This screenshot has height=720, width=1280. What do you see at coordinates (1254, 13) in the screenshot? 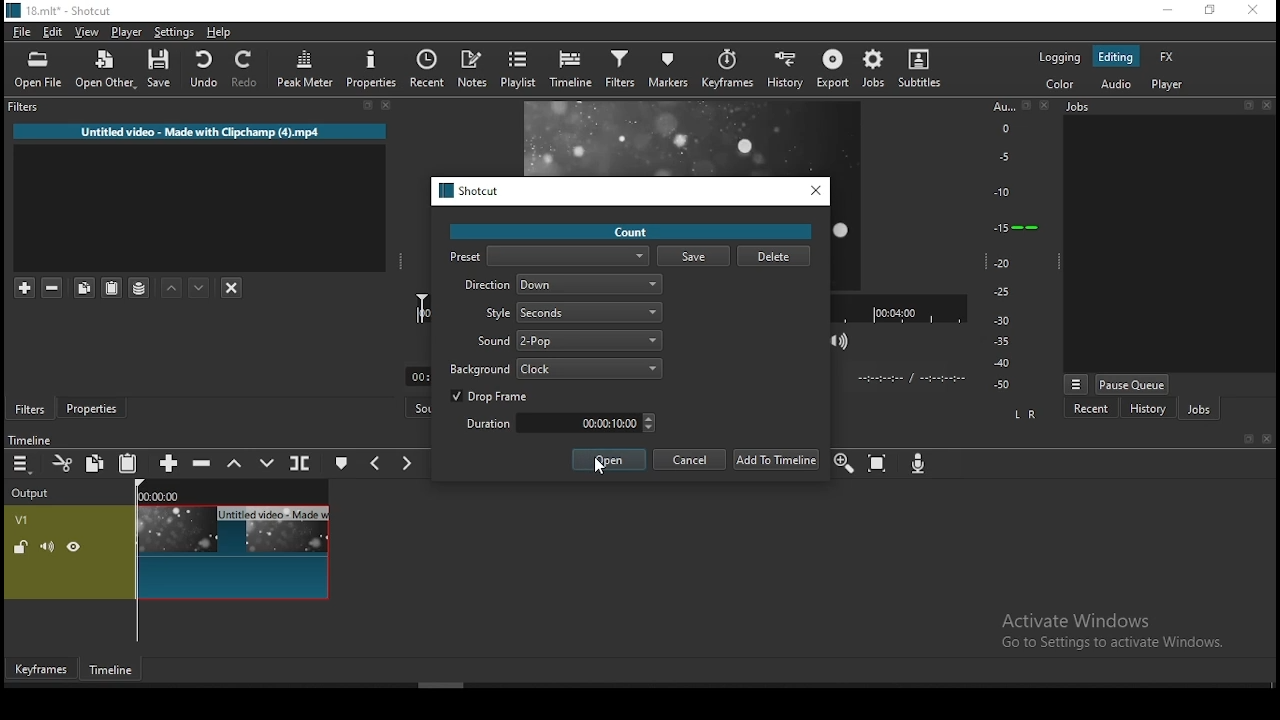
I see `close window` at bounding box center [1254, 13].